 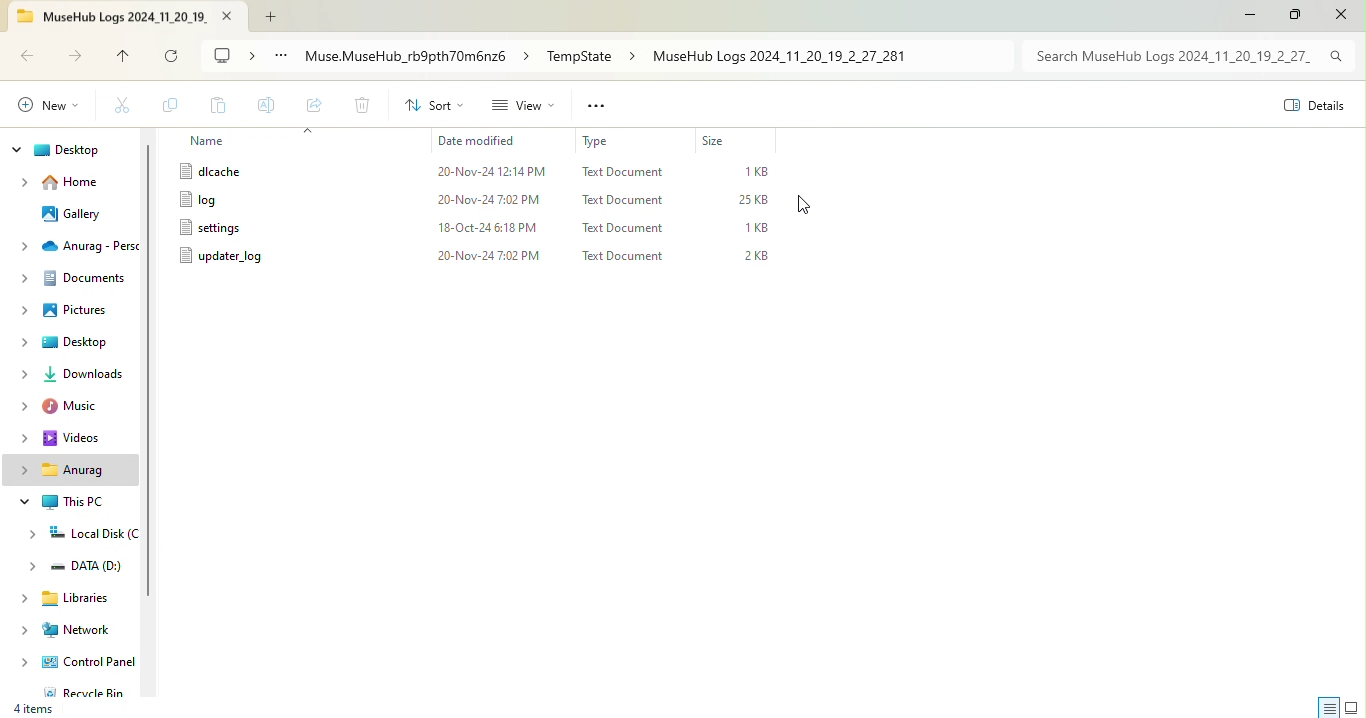 What do you see at coordinates (72, 279) in the screenshot?
I see `Documents` at bounding box center [72, 279].